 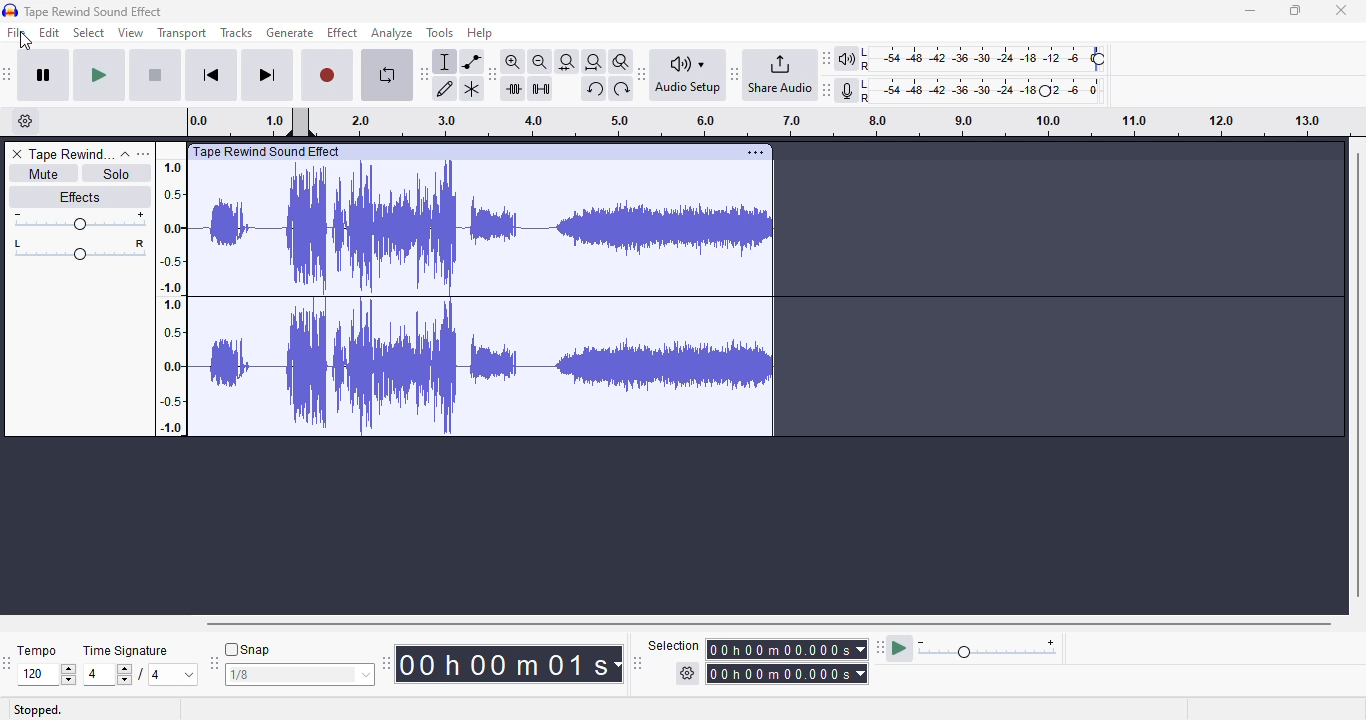 What do you see at coordinates (541, 91) in the screenshot?
I see `silence audio selection` at bounding box center [541, 91].